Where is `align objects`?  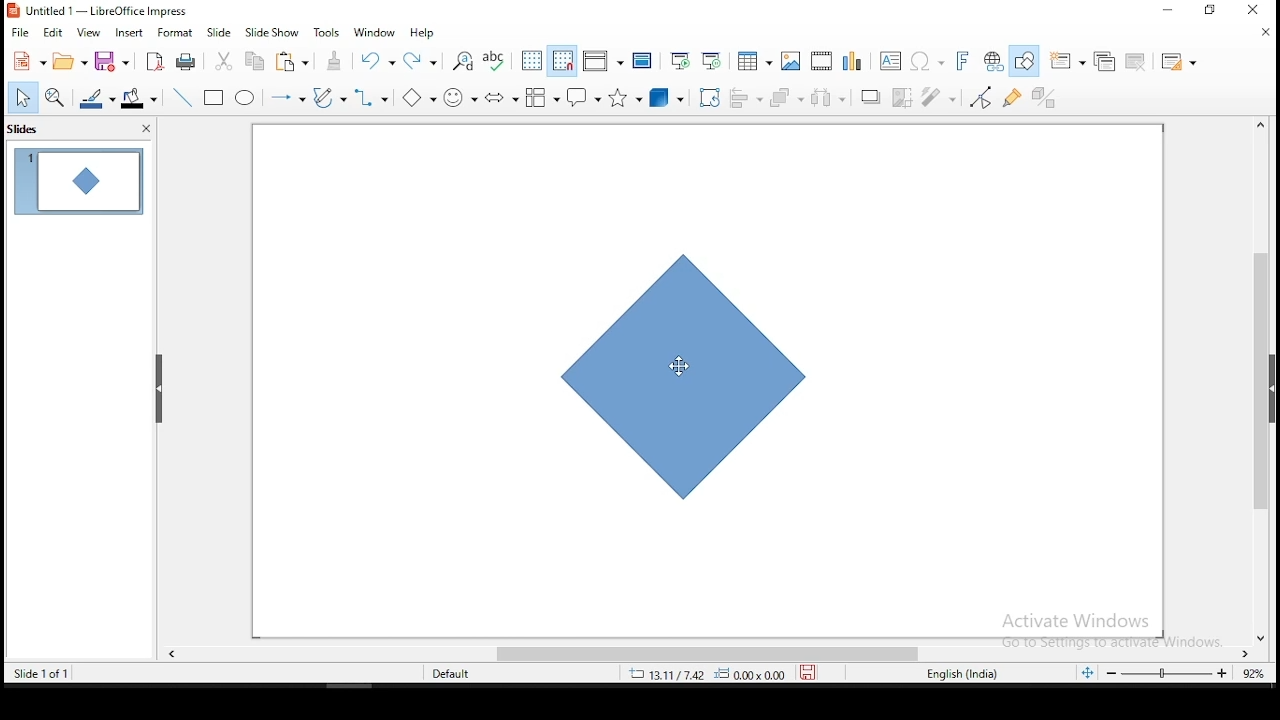 align objects is located at coordinates (744, 94).